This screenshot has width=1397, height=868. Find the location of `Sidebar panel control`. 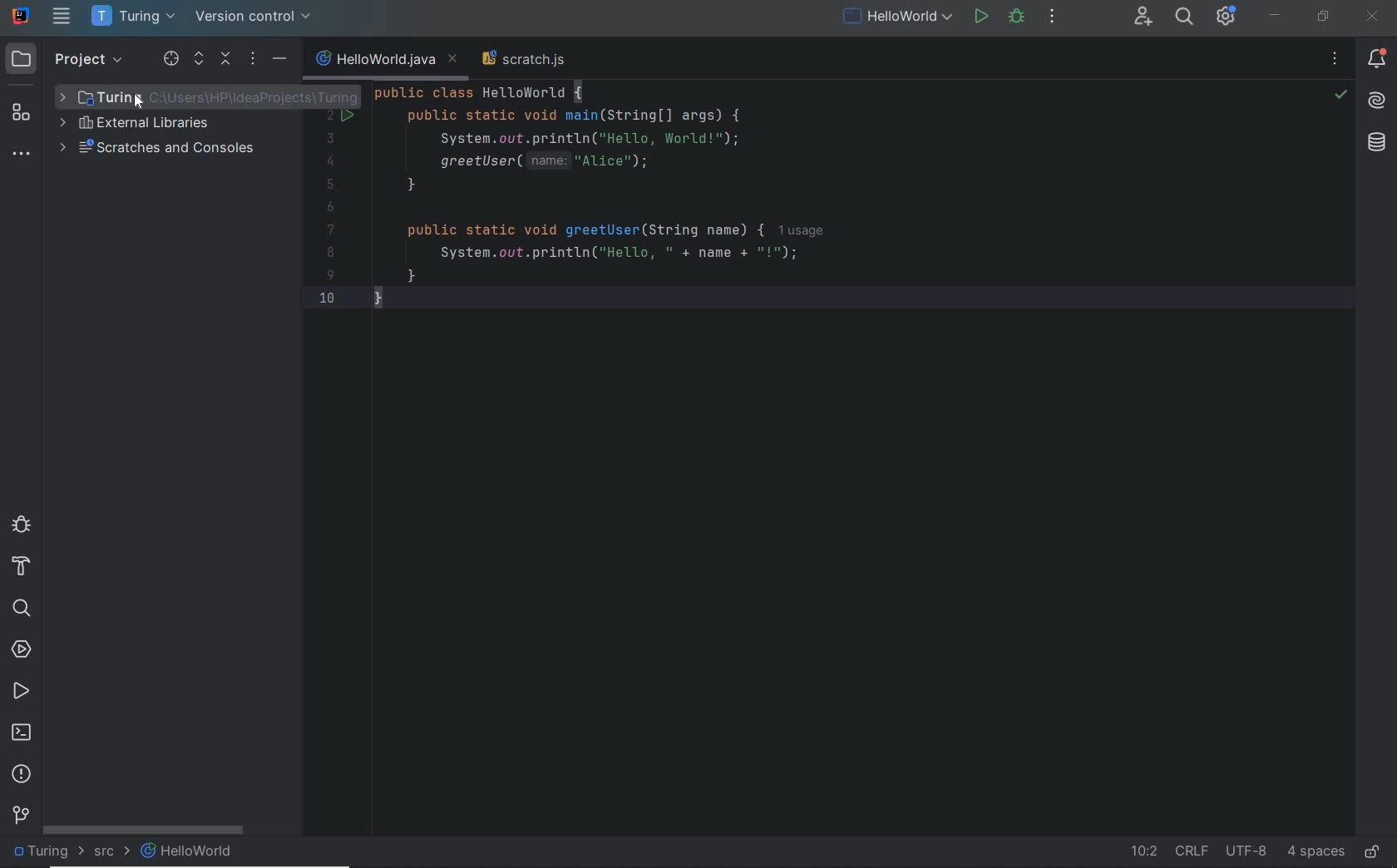

Sidebar panel control is located at coordinates (224, 60).